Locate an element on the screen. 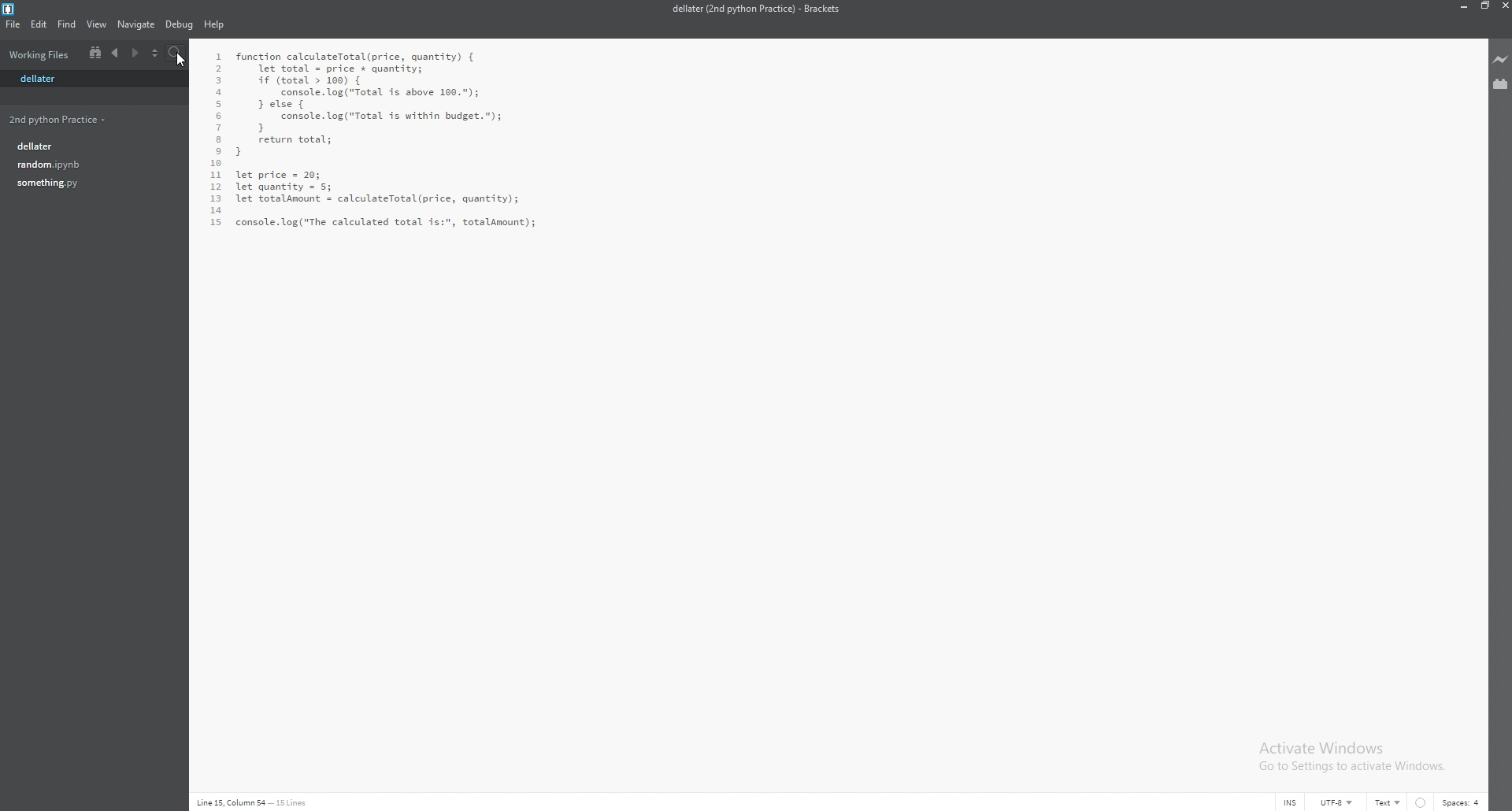 This screenshot has width=1512, height=811. dellater (2nd python practice) - brackets is located at coordinates (754, 9).